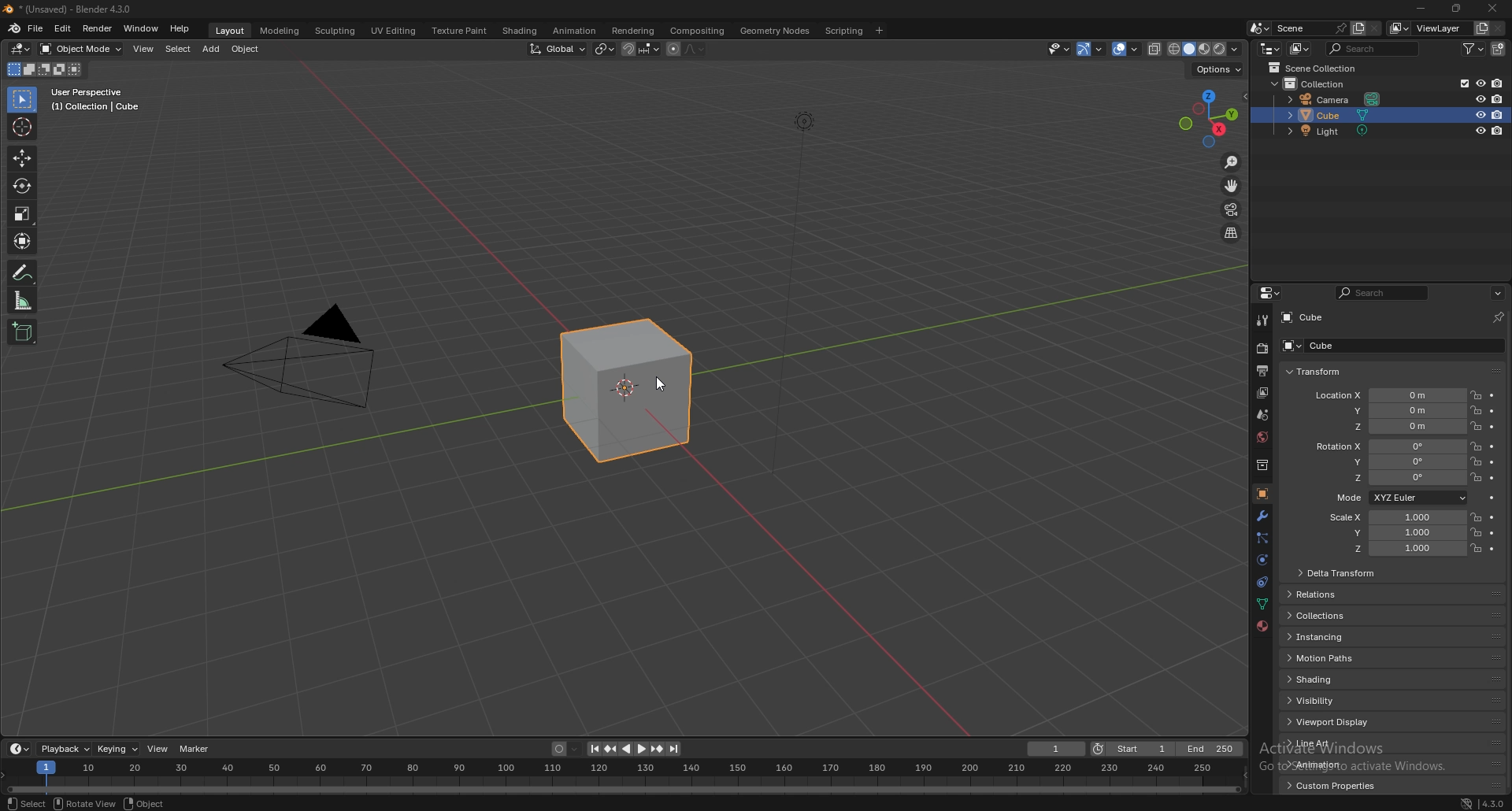 This screenshot has width=1512, height=811. Describe the element at coordinates (232, 31) in the screenshot. I see `layout` at that location.